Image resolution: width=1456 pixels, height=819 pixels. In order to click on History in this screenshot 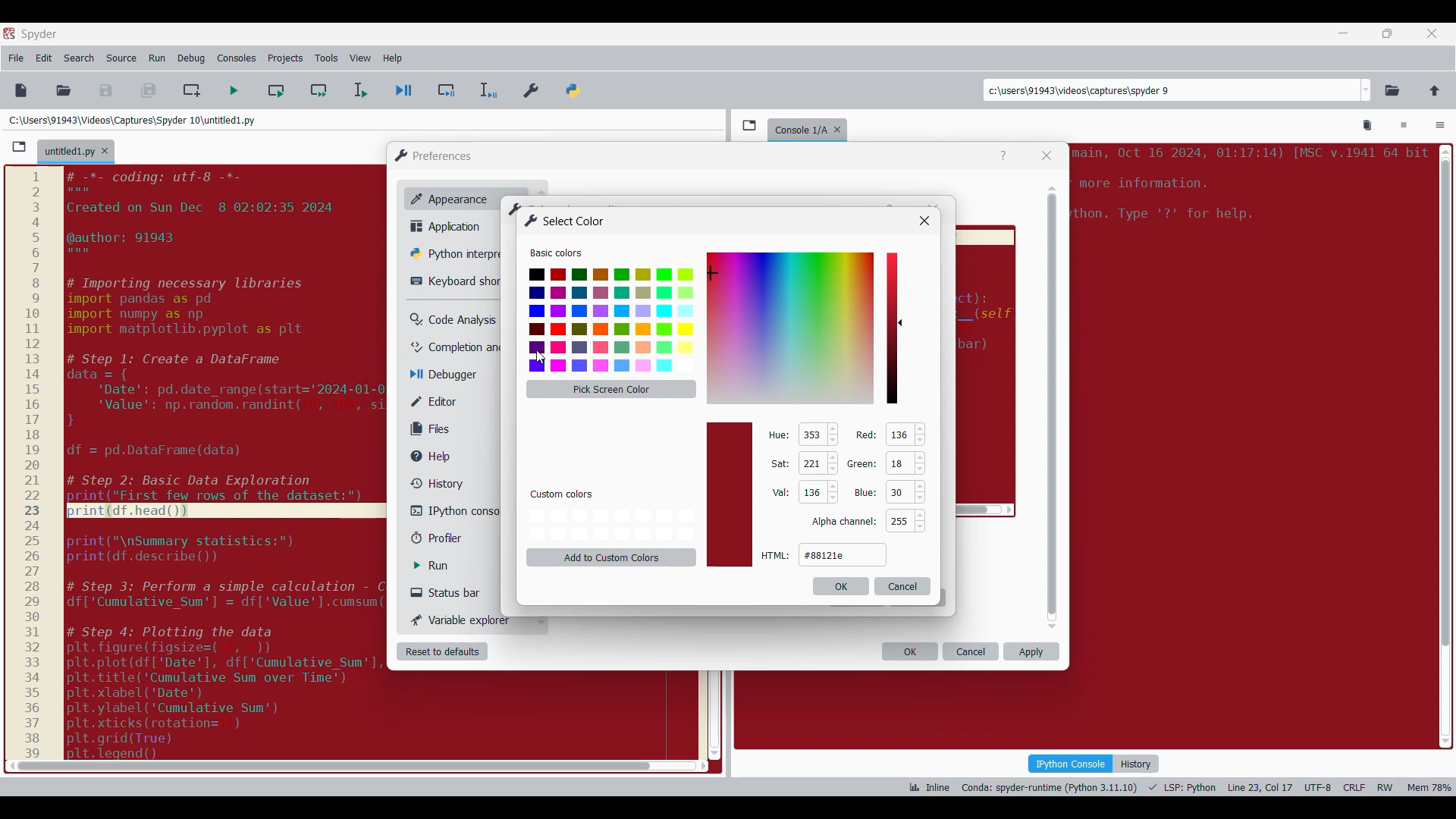, I will do `click(1136, 764)`.